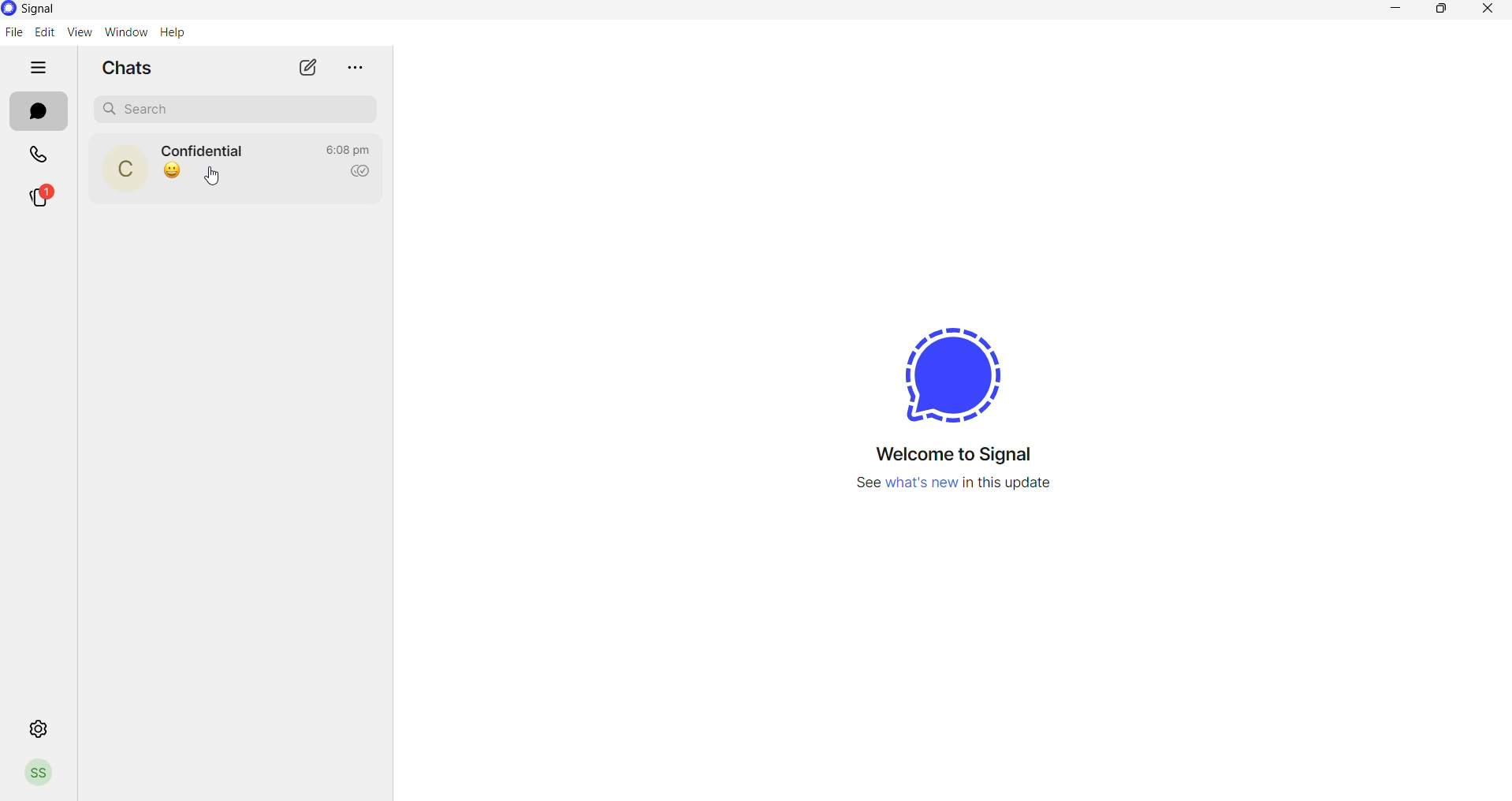 The height and width of the screenshot is (801, 1512). I want to click on maximize, so click(1444, 12).